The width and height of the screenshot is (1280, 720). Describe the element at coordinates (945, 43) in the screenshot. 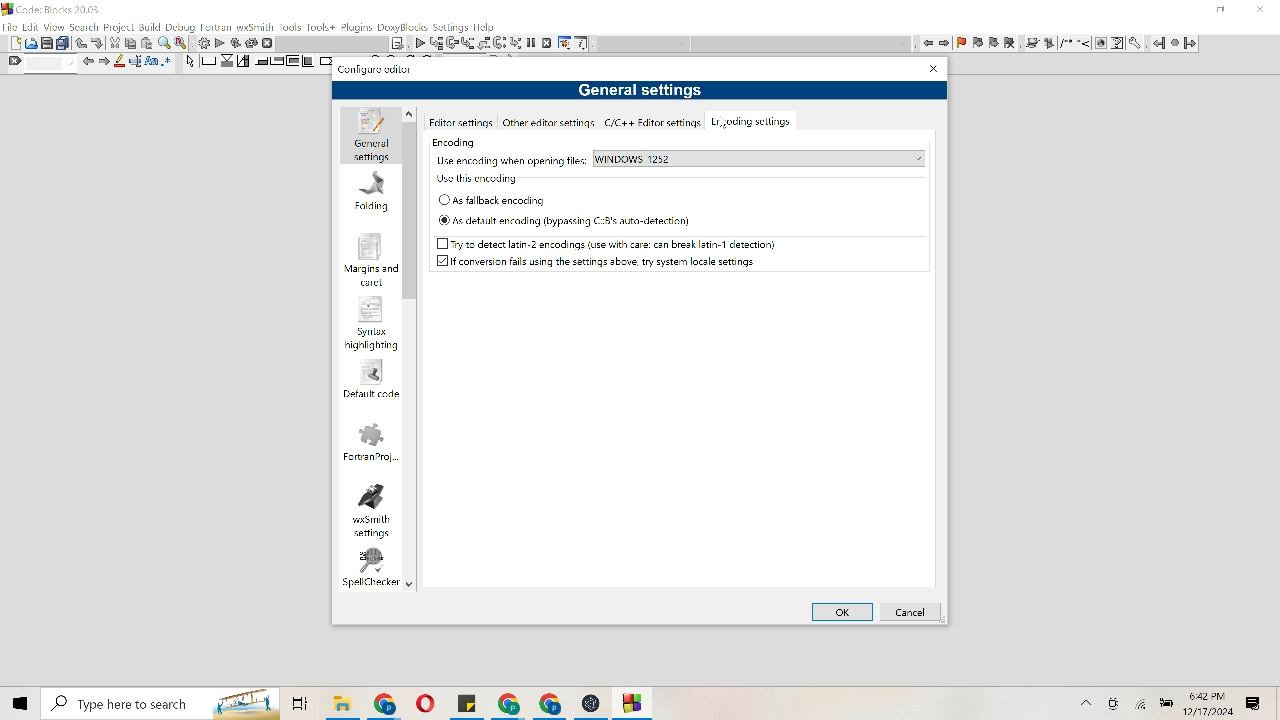

I see `move right` at that location.